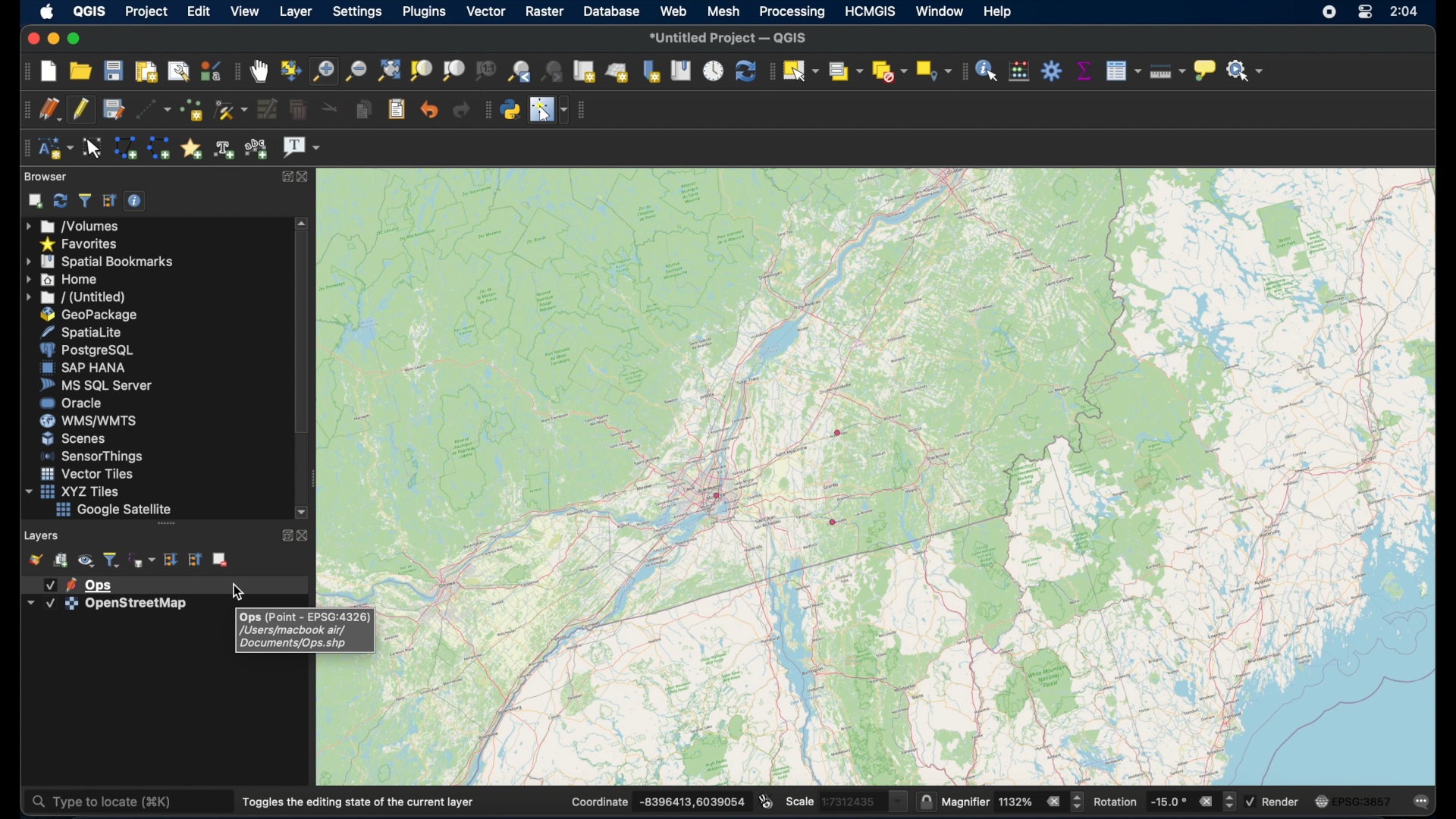 The width and height of the screenshot is (1456, 819). I want to click on no action selected, so click(1247, 73).